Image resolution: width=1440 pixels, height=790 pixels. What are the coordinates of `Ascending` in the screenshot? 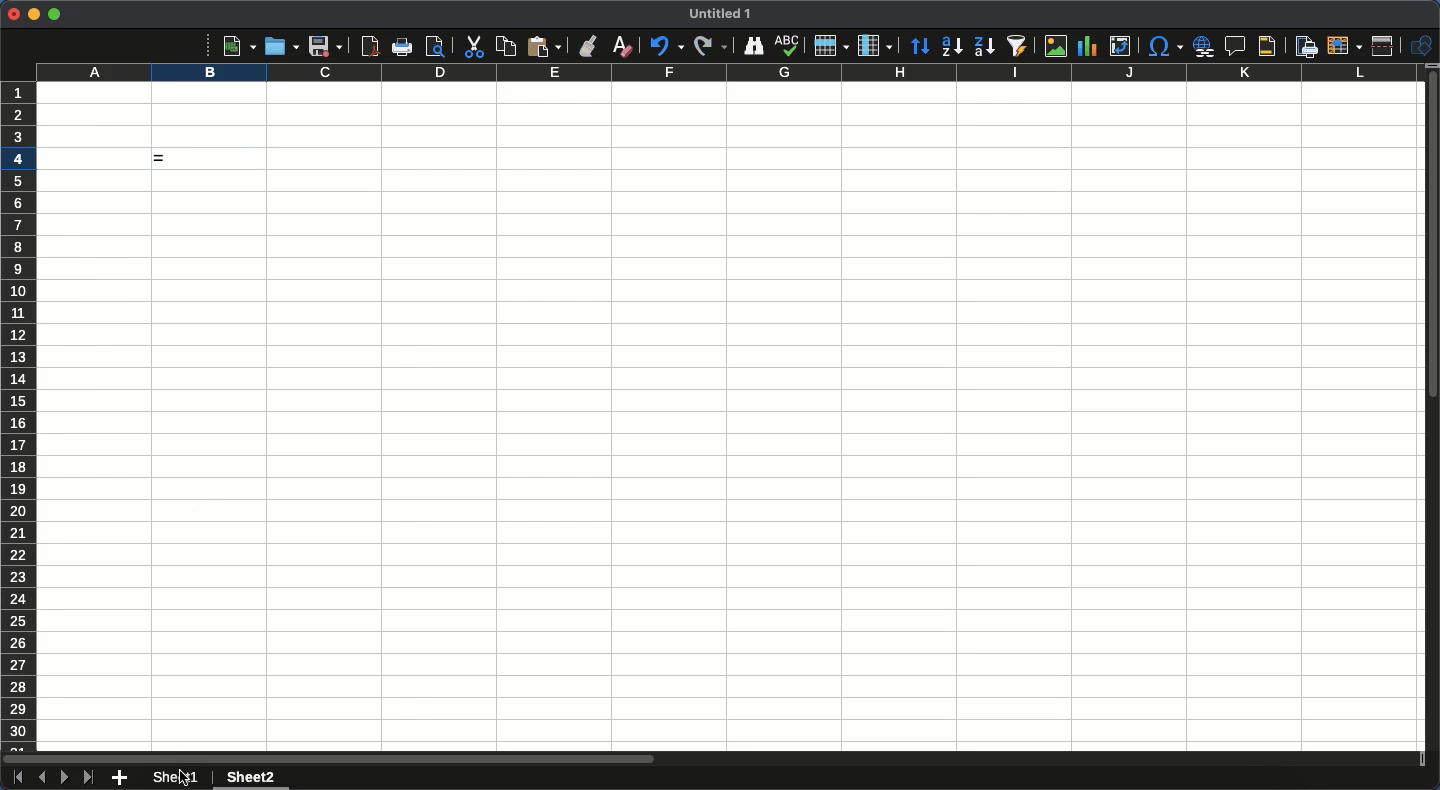 It's located at (951, 45).